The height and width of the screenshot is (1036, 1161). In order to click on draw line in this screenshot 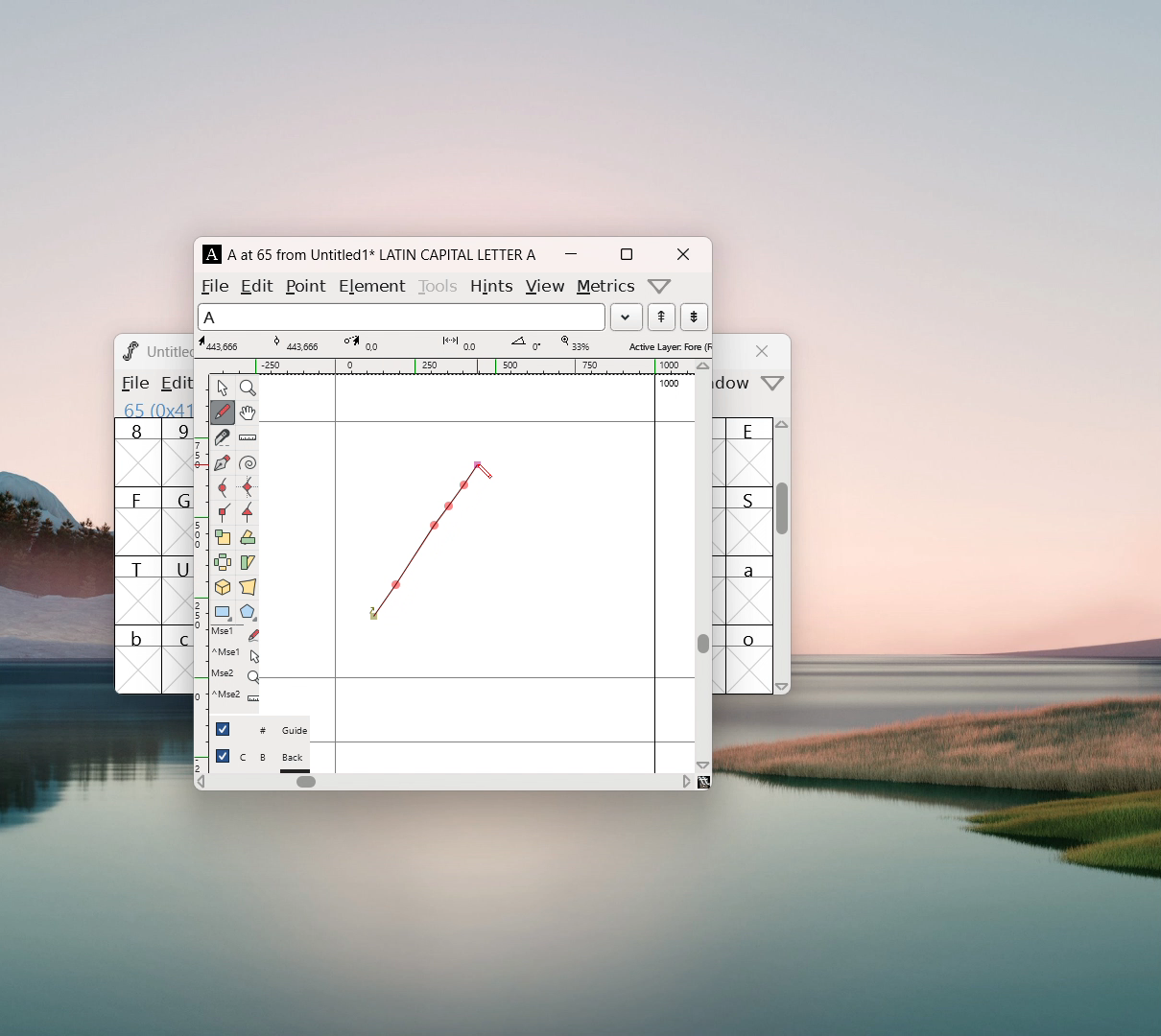, I will do `click(435, 542)`.